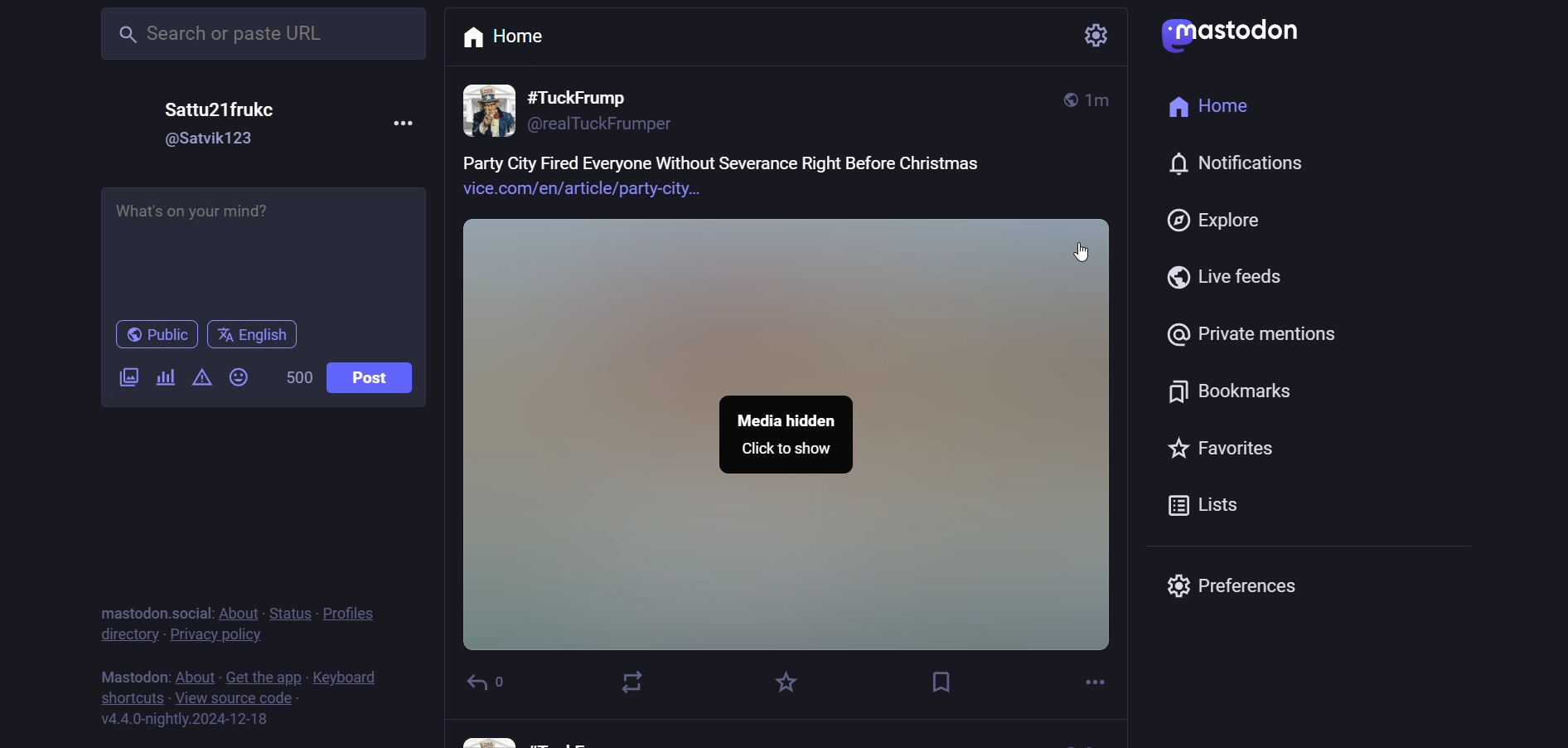  Describe the element at coordinates (1083, 250) in the screenshot. I see `Cursor` at that location.